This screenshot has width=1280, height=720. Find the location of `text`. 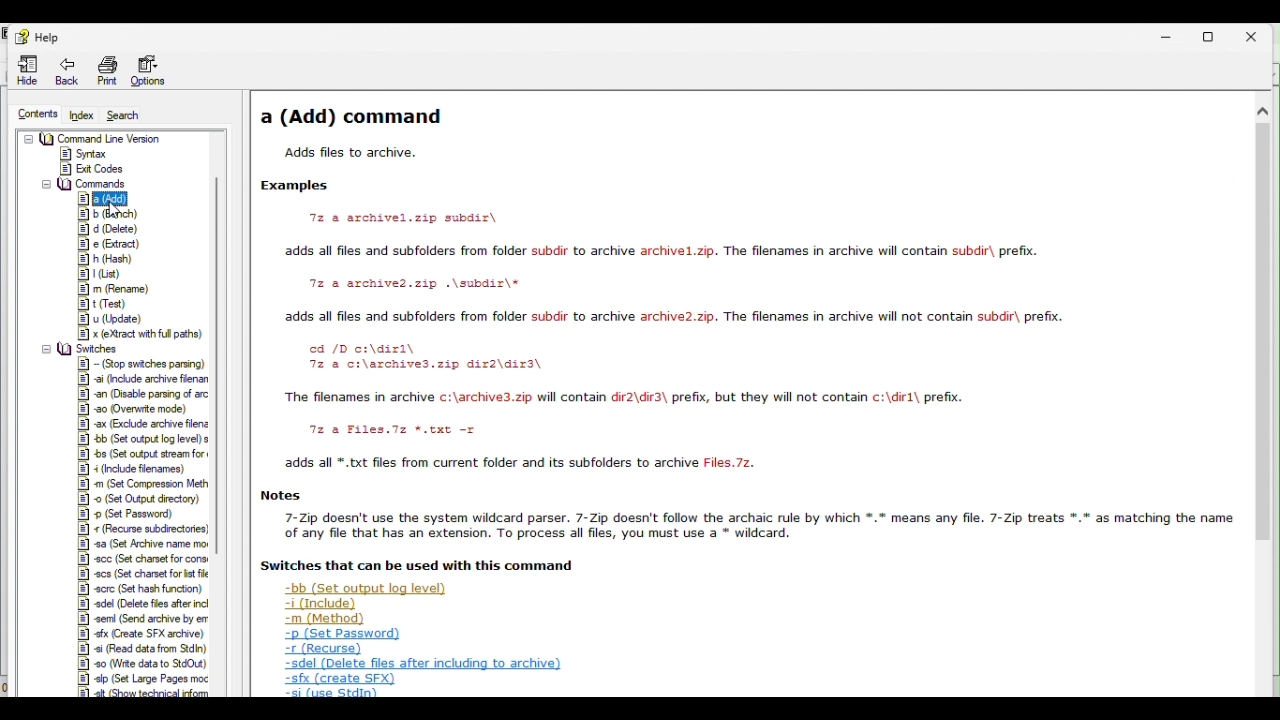

text is located at coordinates (659, 251).